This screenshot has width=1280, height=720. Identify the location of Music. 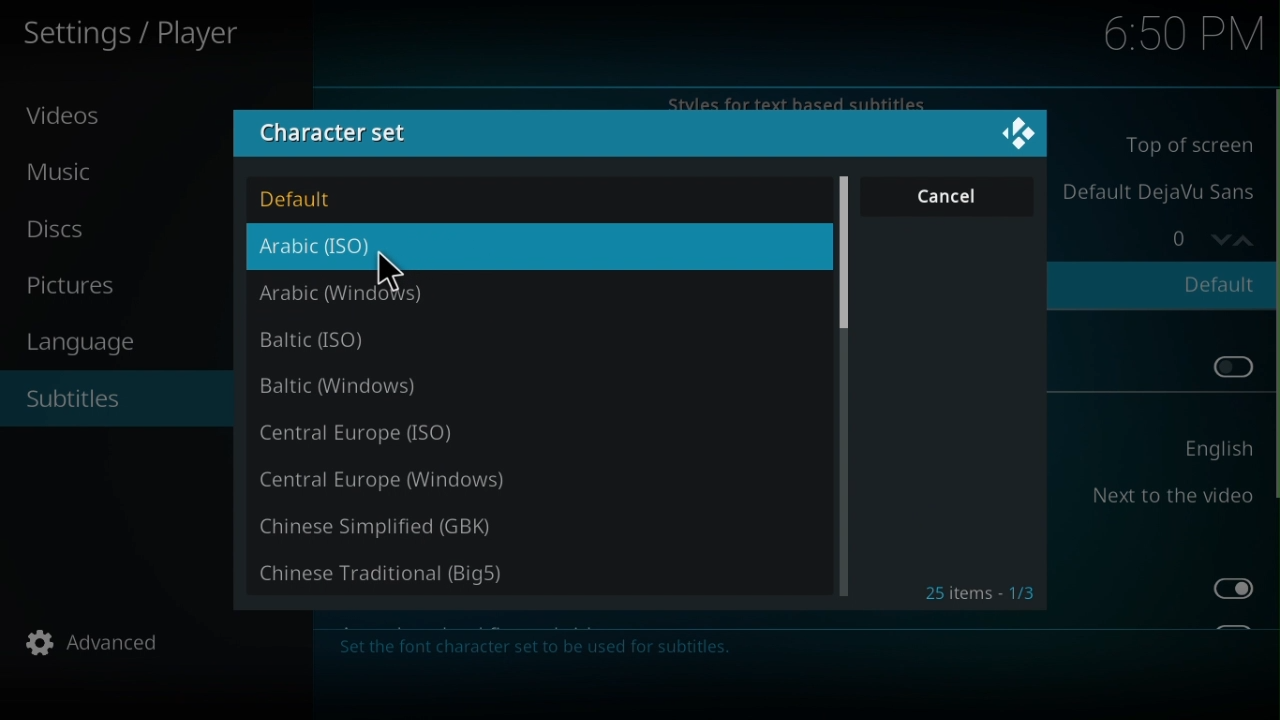
(79, 172).